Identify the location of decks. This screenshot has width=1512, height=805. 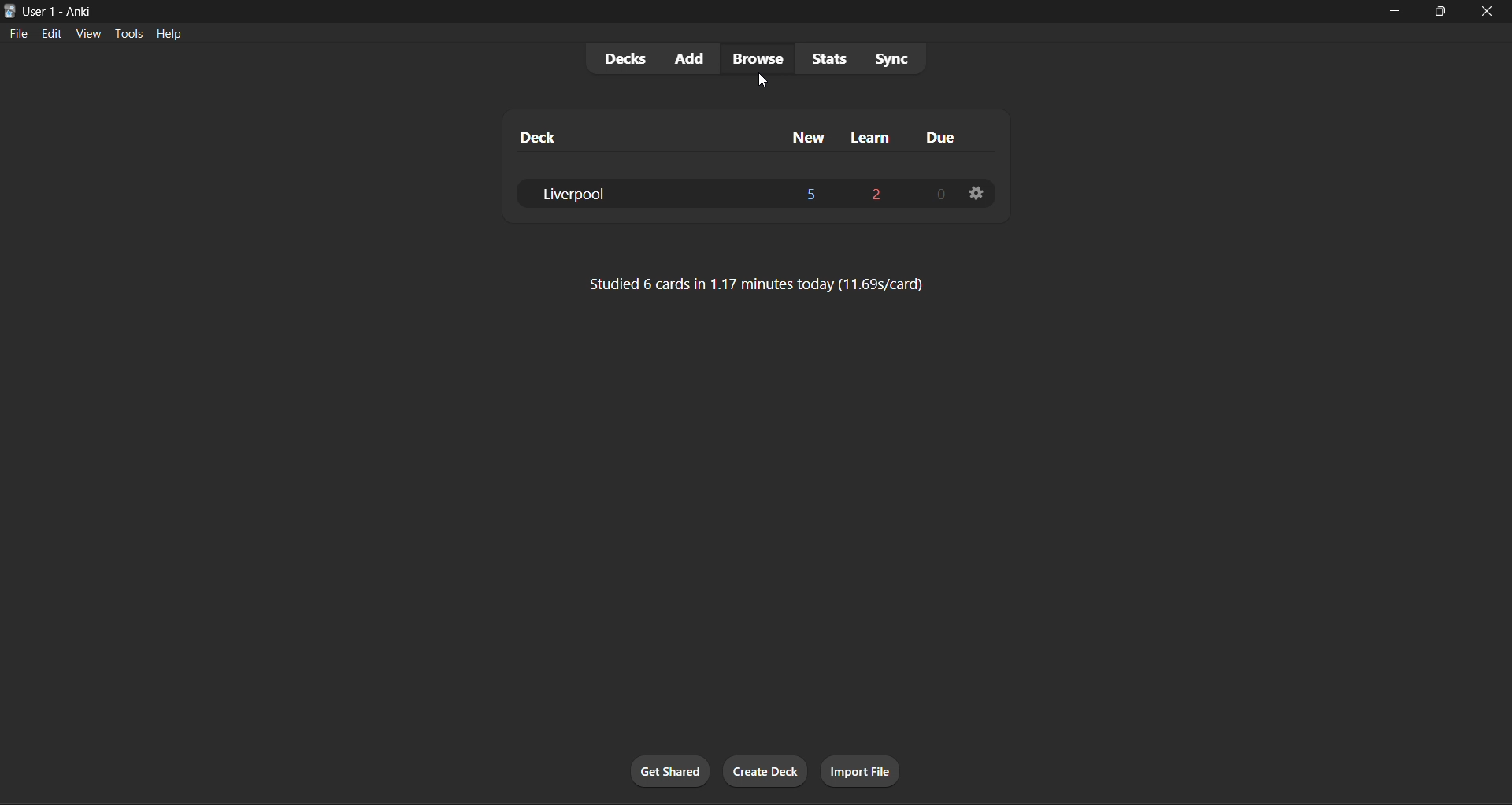
(622, 58).